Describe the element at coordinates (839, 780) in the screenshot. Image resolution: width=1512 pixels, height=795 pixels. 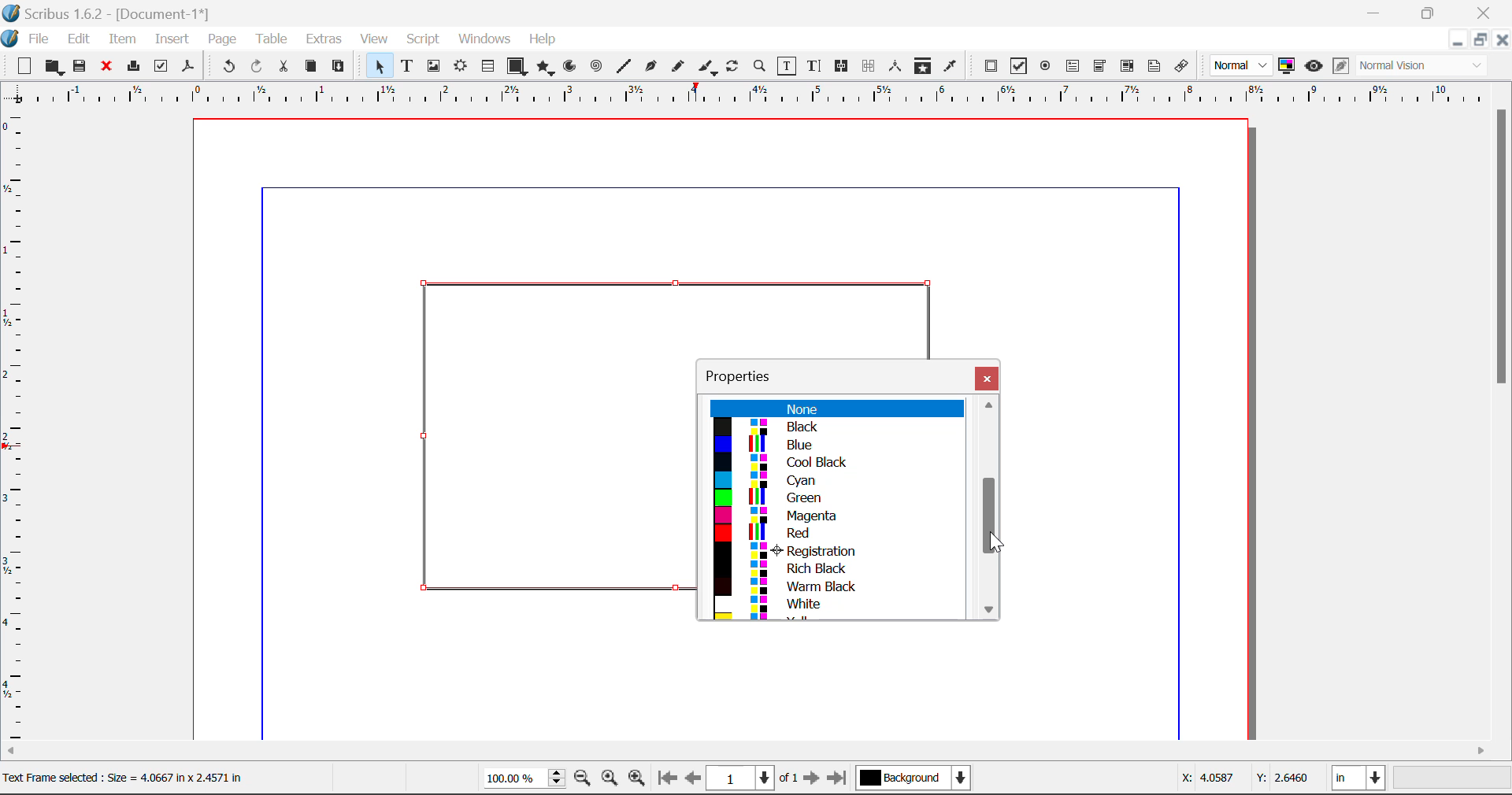
I see `Last Page` at that location.